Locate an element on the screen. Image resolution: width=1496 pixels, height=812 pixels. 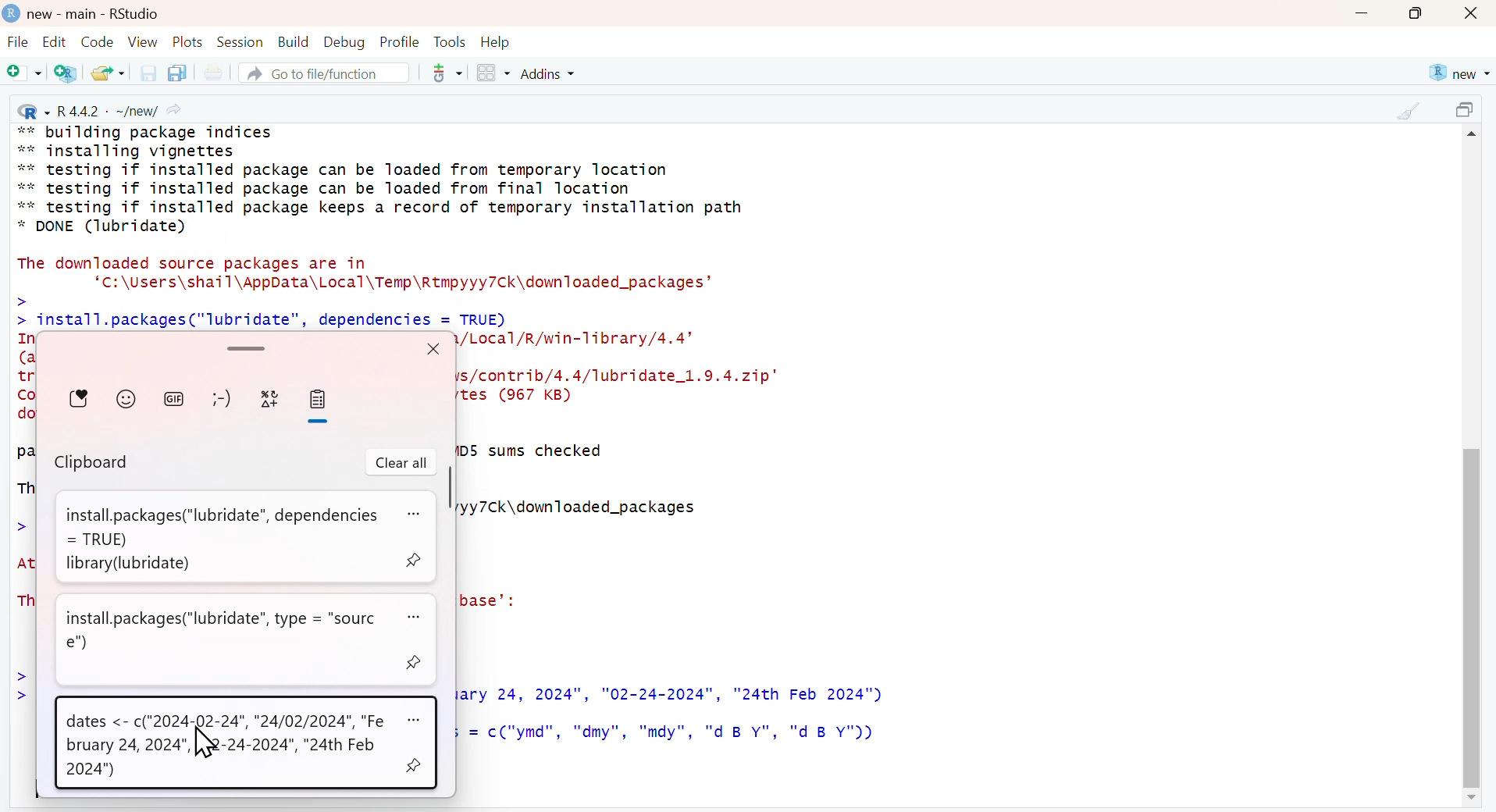
Session is located at coordinates (240, 41).